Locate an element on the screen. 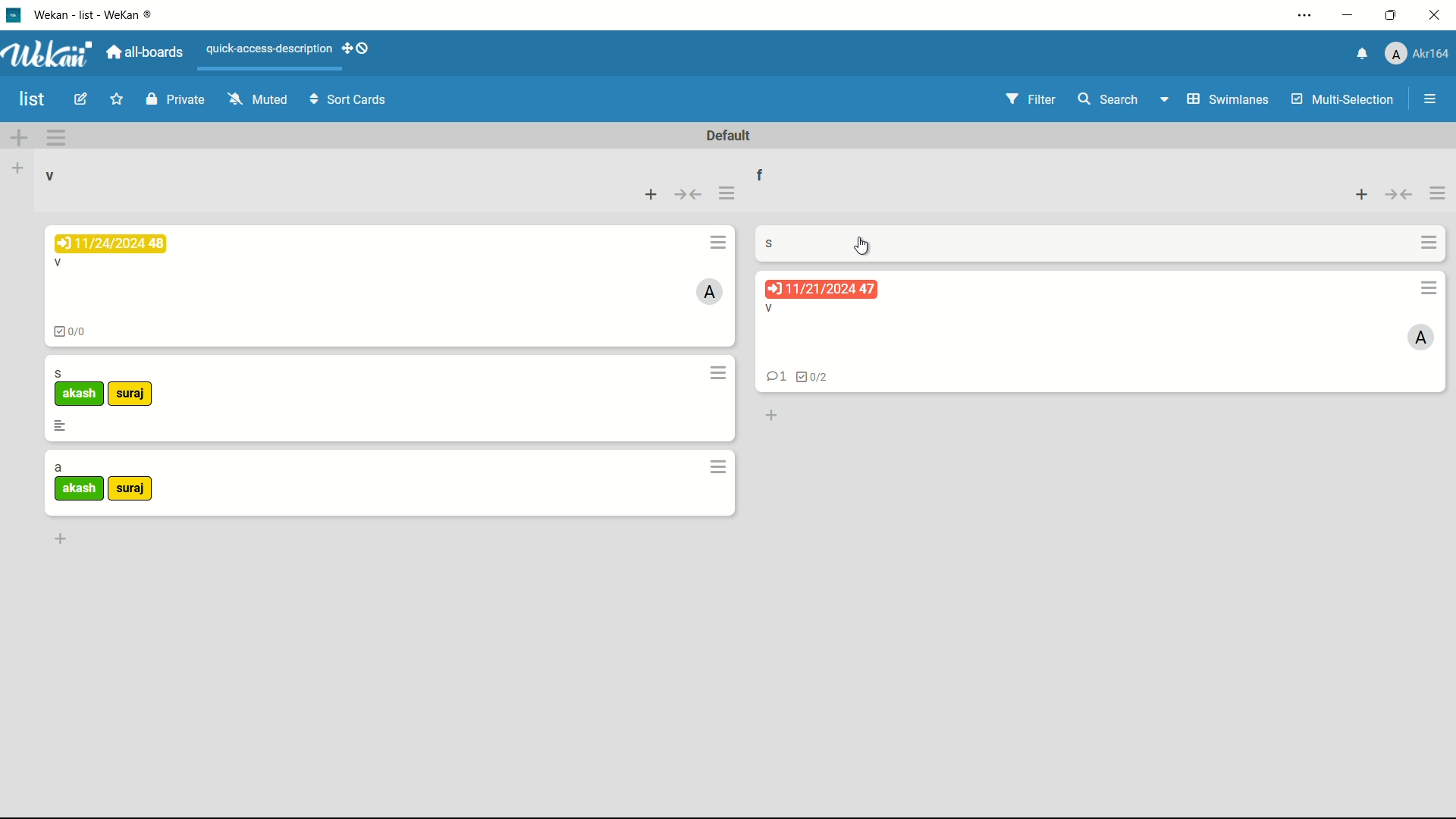  card name is located at coordinates (58, 265).